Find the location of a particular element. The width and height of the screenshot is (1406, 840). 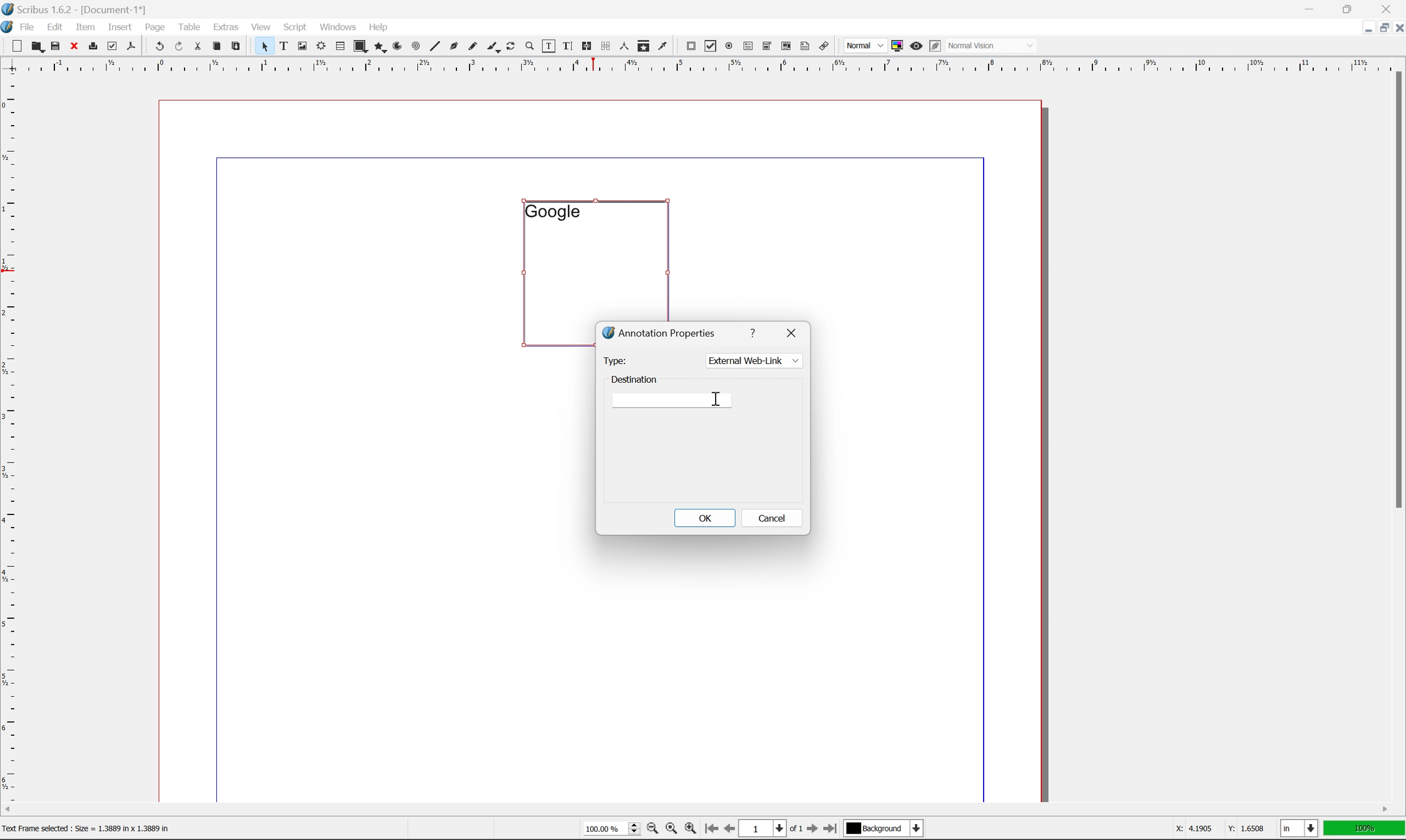

close is located at coordinates (75, 45).